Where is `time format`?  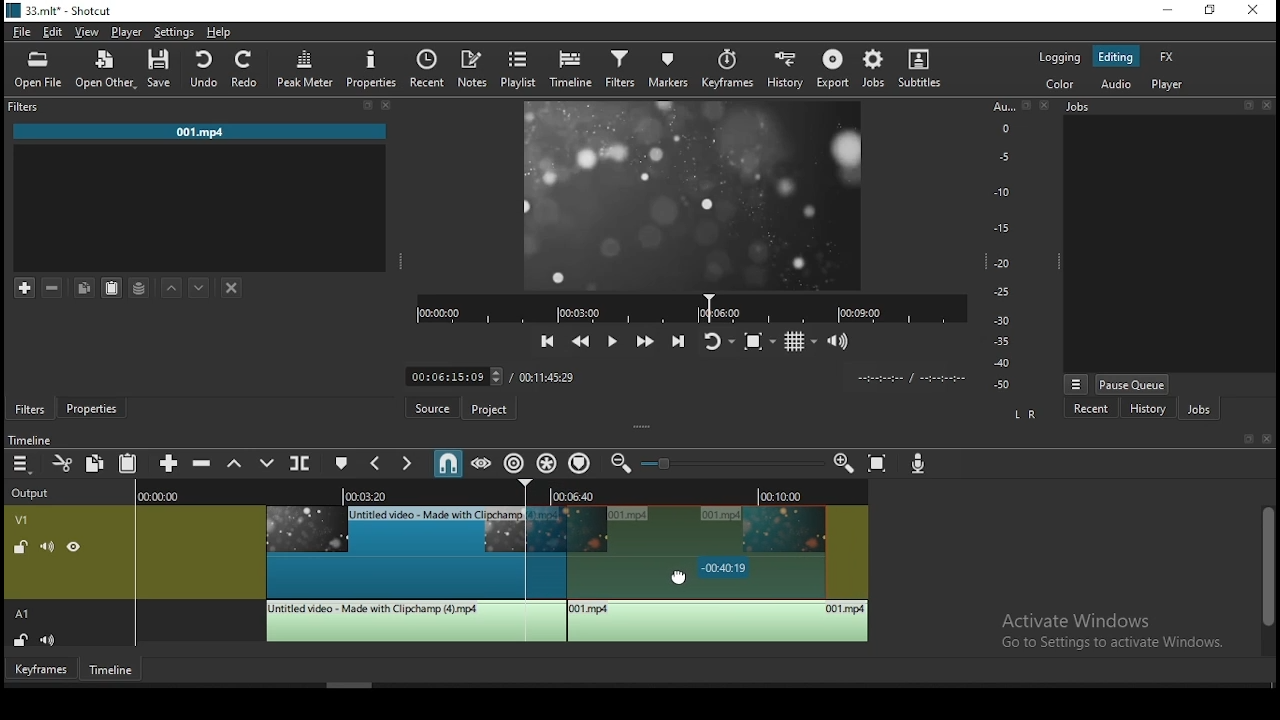
time format is located at coordinates (907, 378).